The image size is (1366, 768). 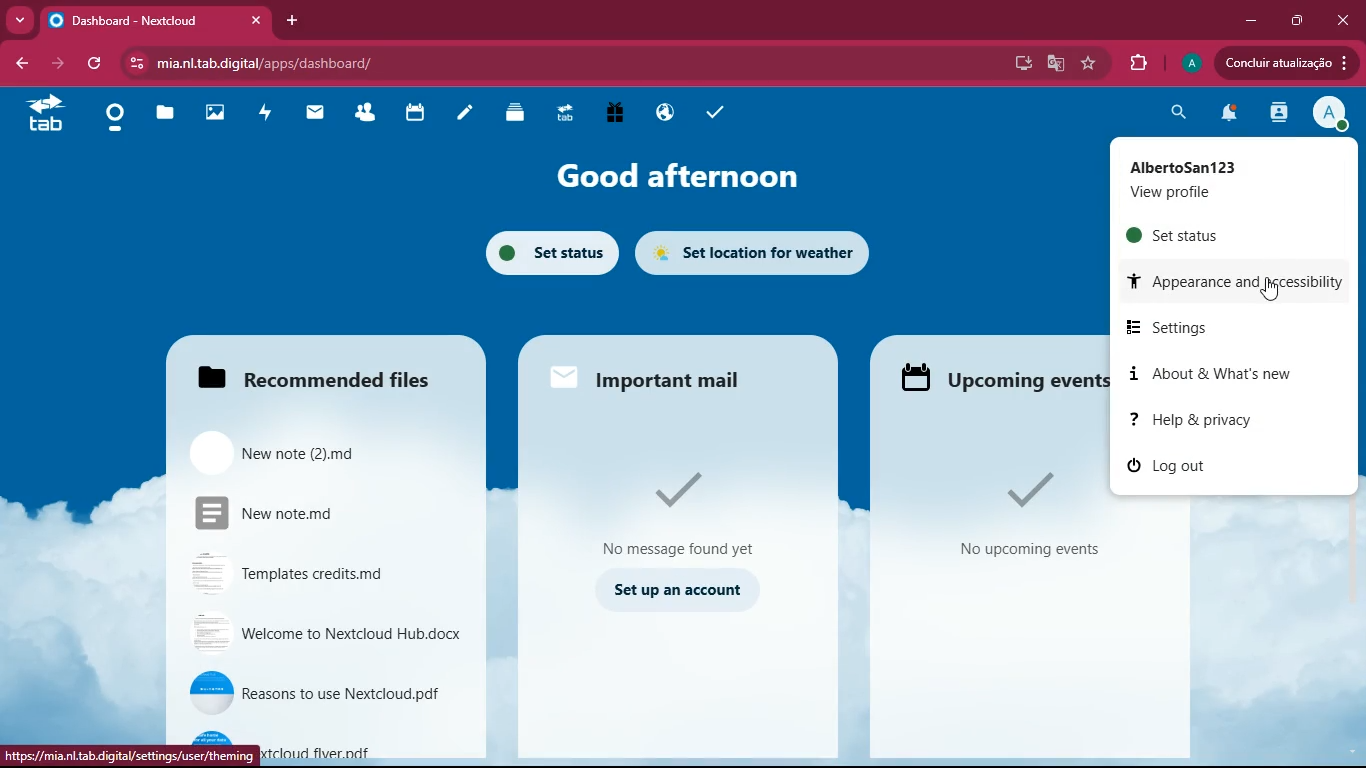 I want to click on favourite, so click(x=1090, y=63).